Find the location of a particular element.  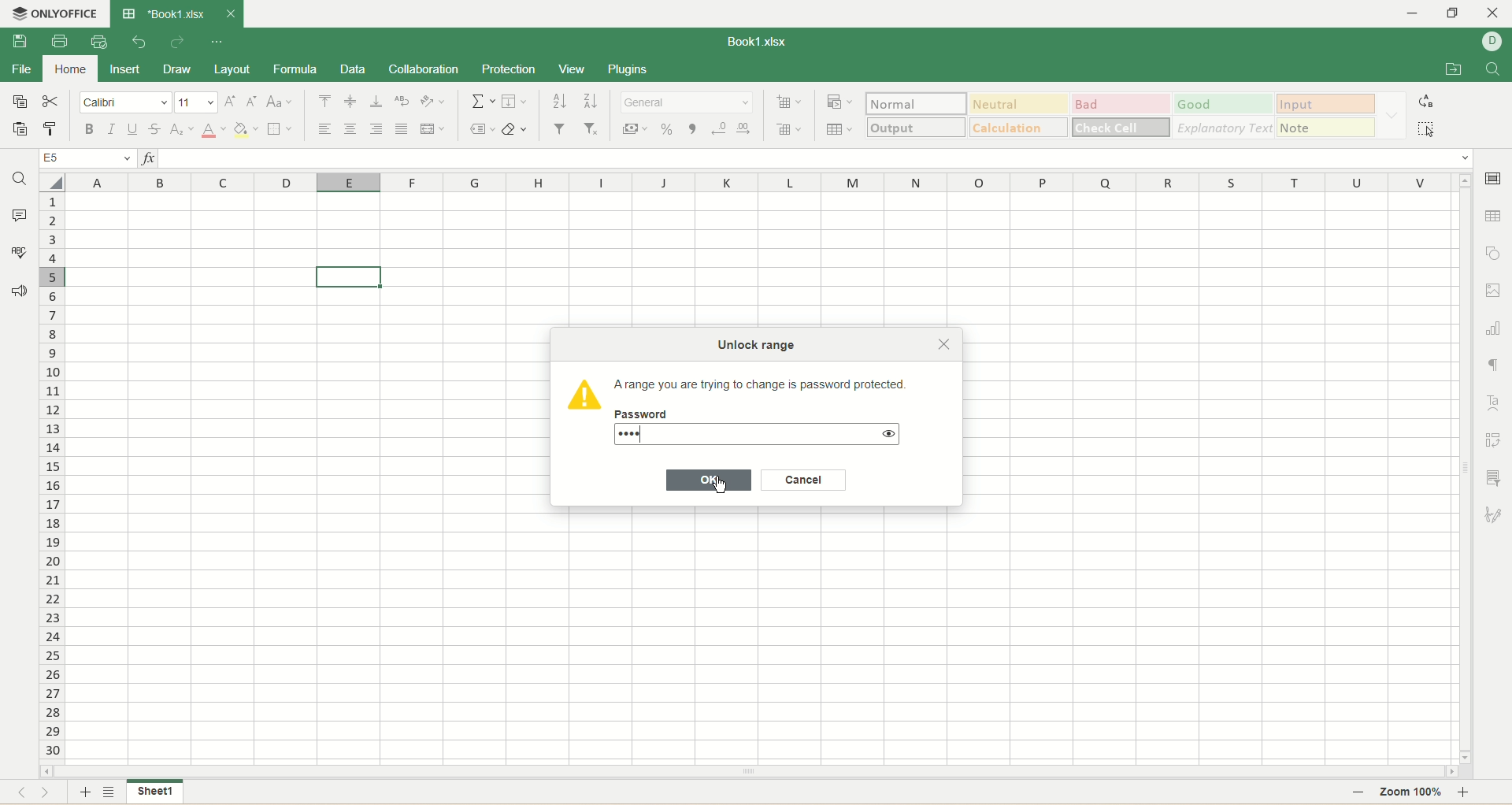

insert cell is located at coordinates (789, 102).